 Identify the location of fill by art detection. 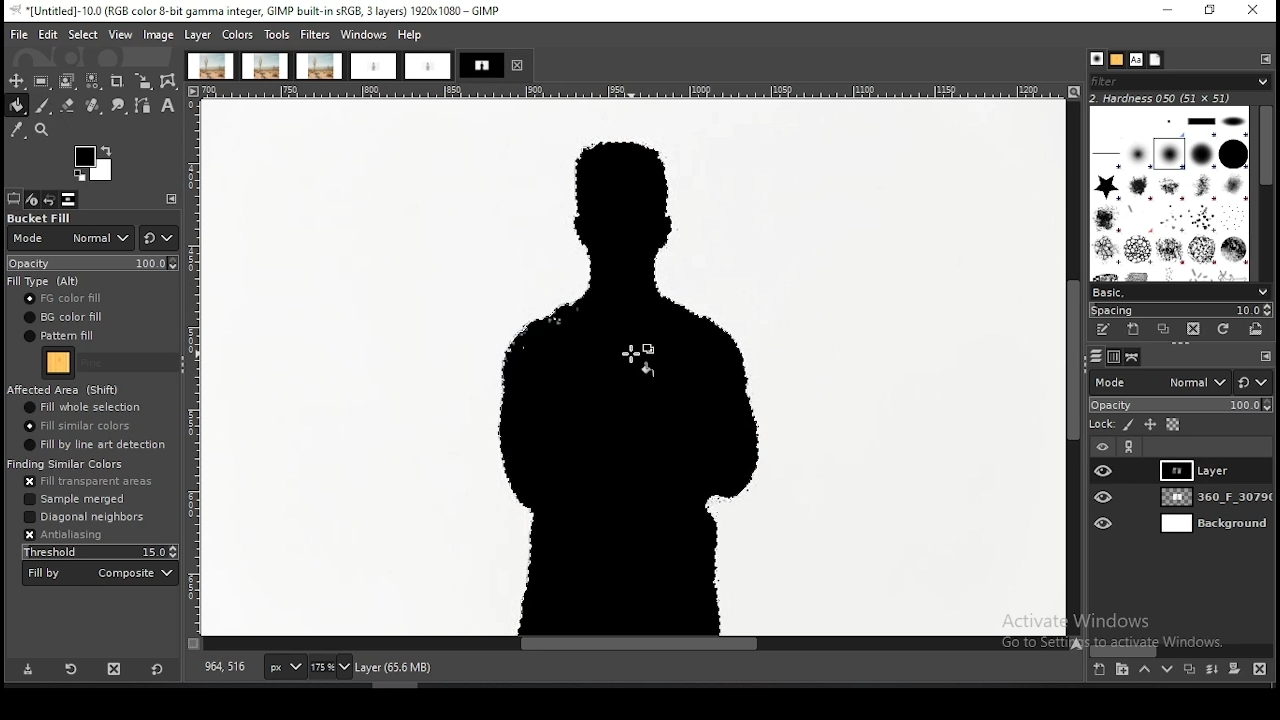
(94, 444).